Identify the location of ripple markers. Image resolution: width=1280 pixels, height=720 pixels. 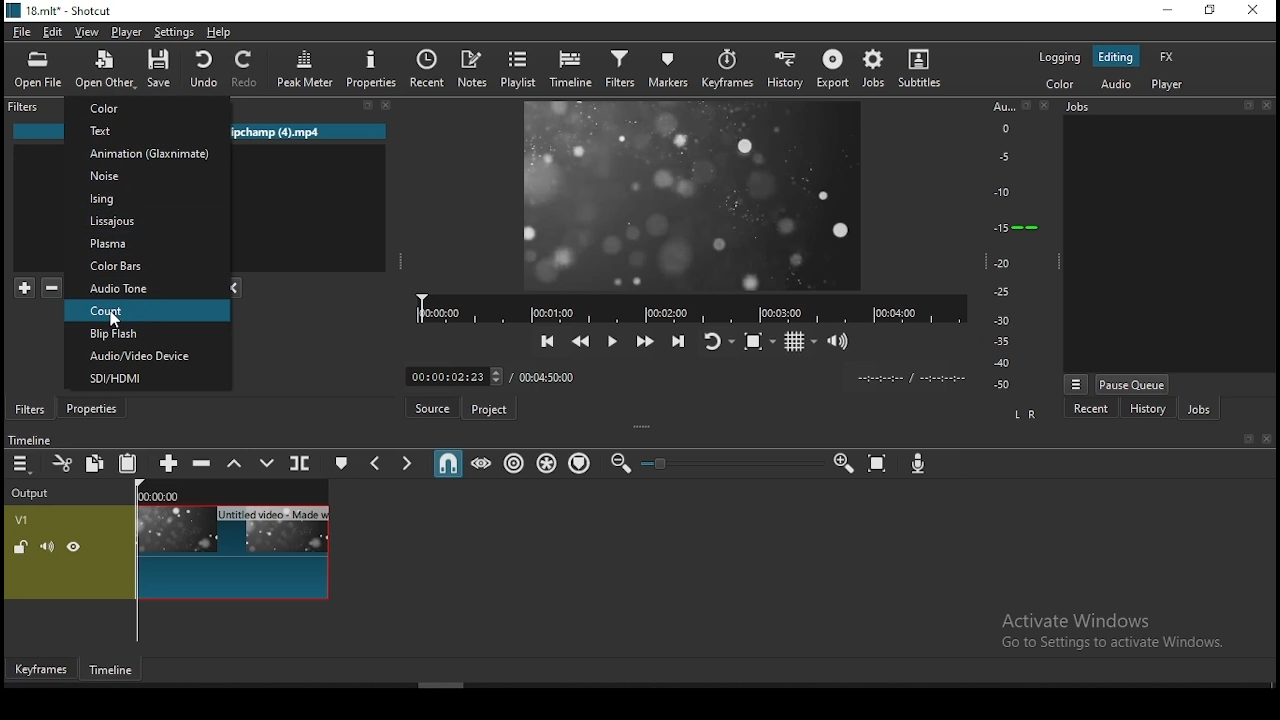
(579, 464).